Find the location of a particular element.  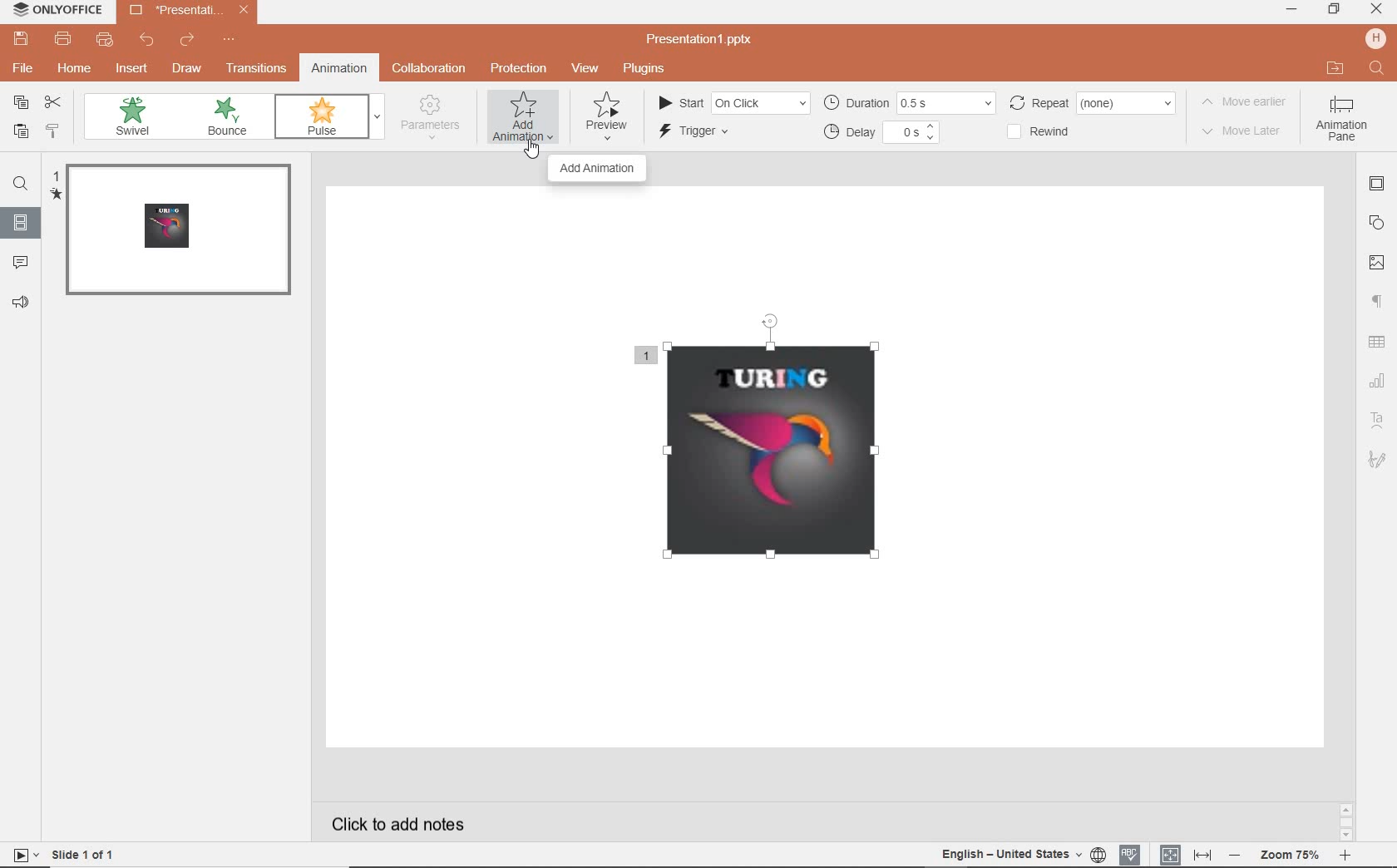

undo is located at coordinates (146, 38).